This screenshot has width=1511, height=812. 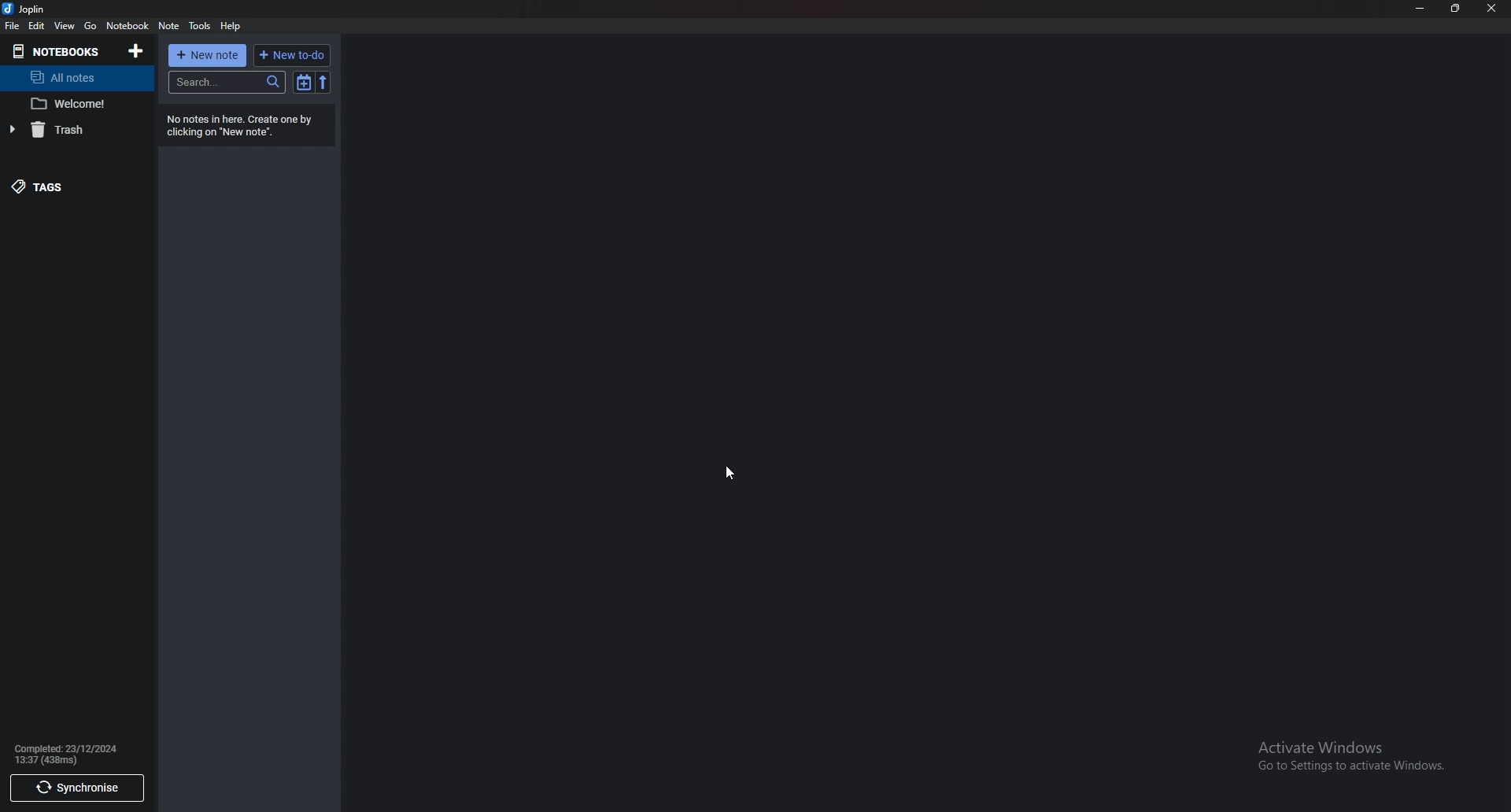 What do you see at coordinates (1455, 9) in the screenshot?
I see `Resize` at bounding box center [1455, 9].